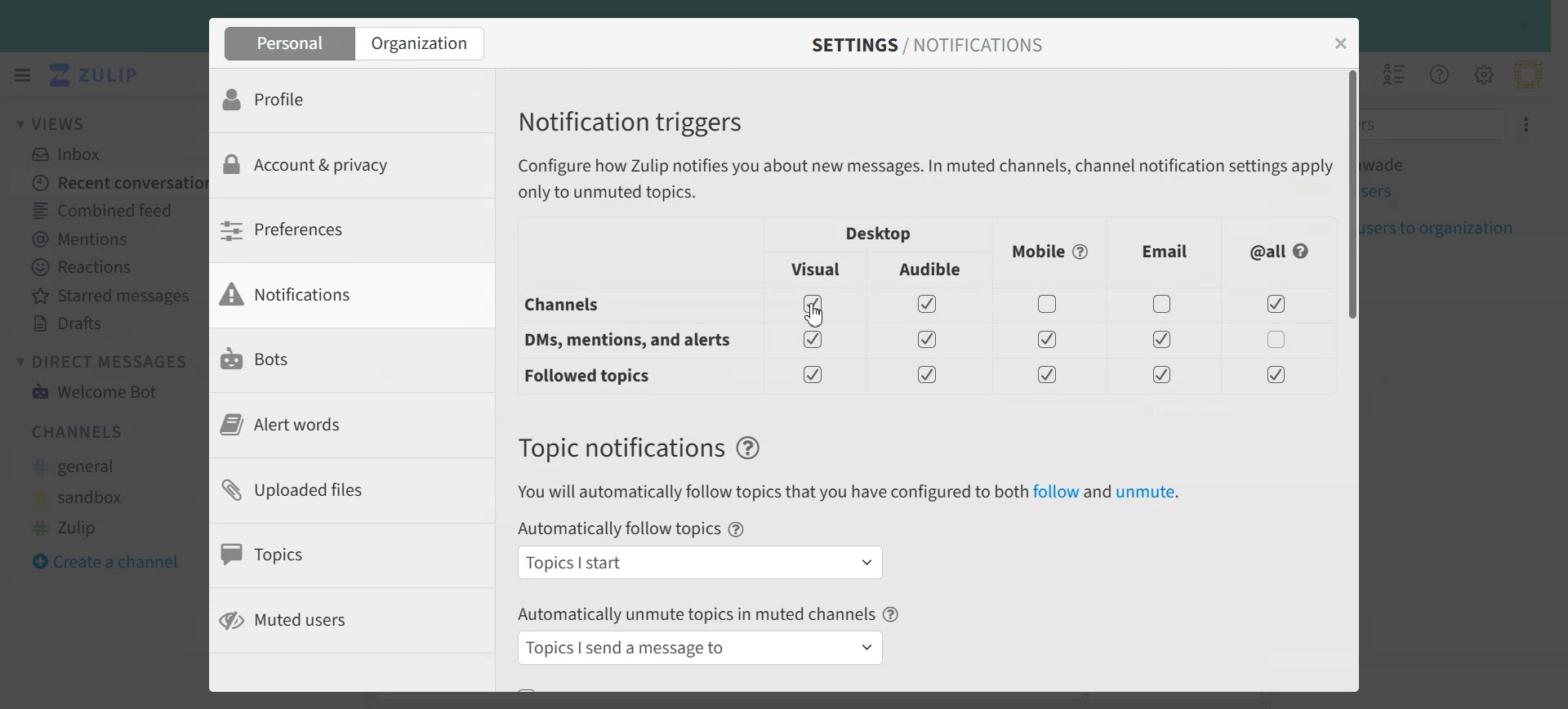  I want to click on Bots, so click(332, 359).